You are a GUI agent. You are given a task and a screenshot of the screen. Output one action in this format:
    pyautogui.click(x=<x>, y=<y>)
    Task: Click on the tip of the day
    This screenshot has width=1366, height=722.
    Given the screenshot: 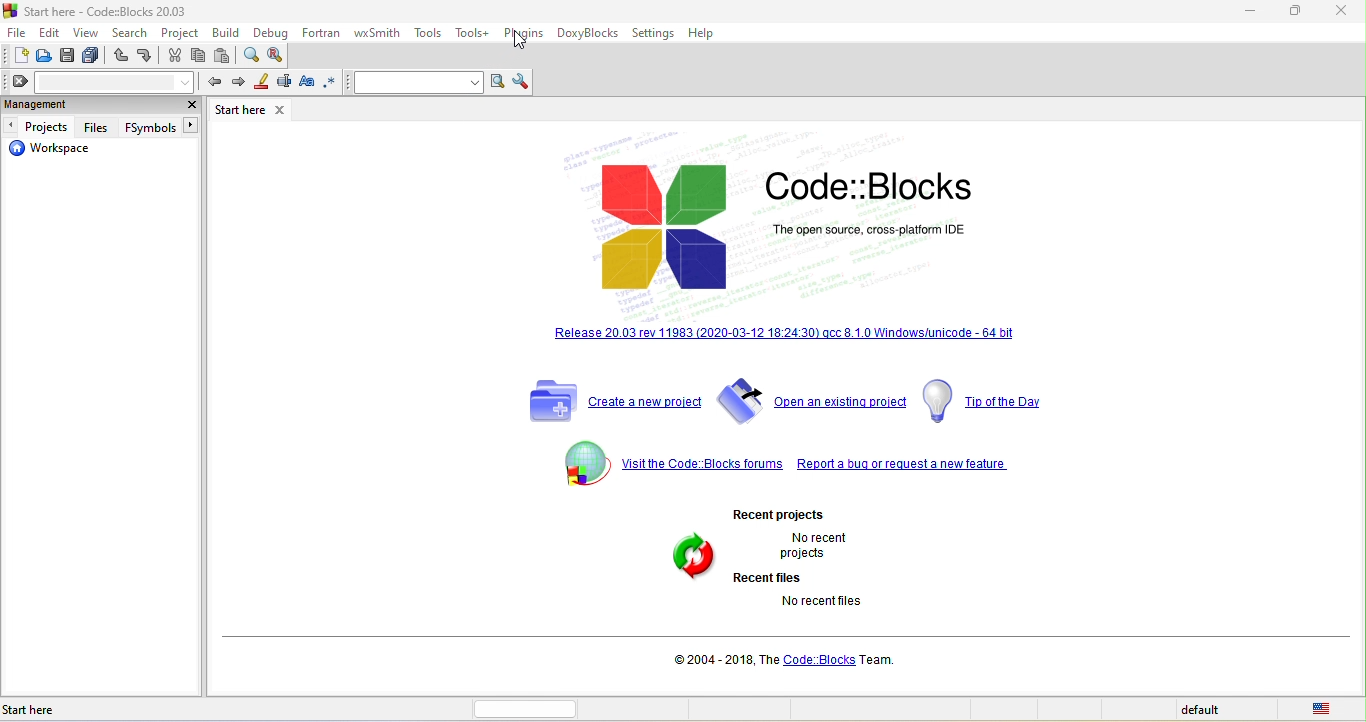 What is the action you would take?
    pyautogui.click(x=994, y=400)
    